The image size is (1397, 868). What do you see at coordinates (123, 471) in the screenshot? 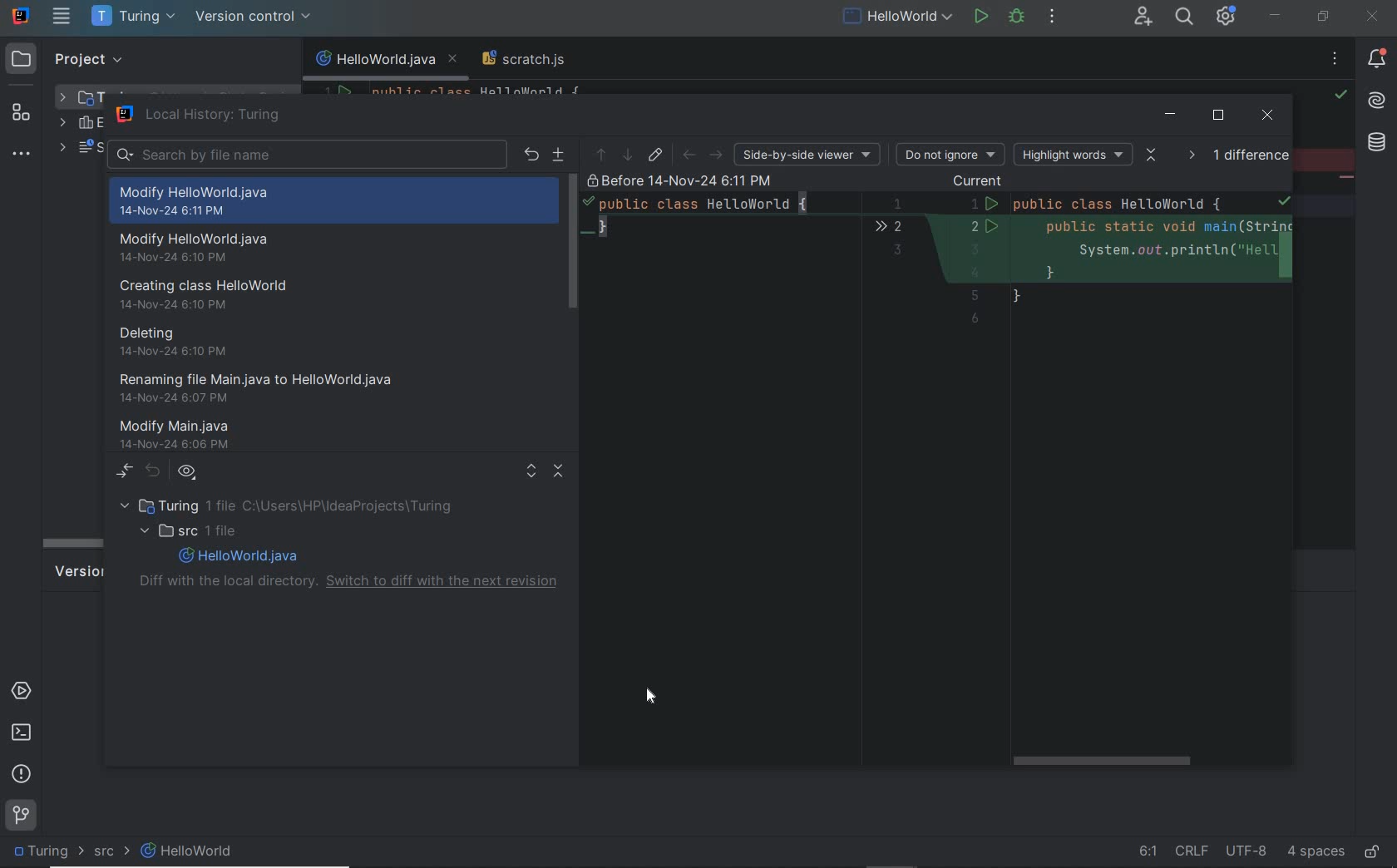
I see `show diff` at bounding box center [123, 471].